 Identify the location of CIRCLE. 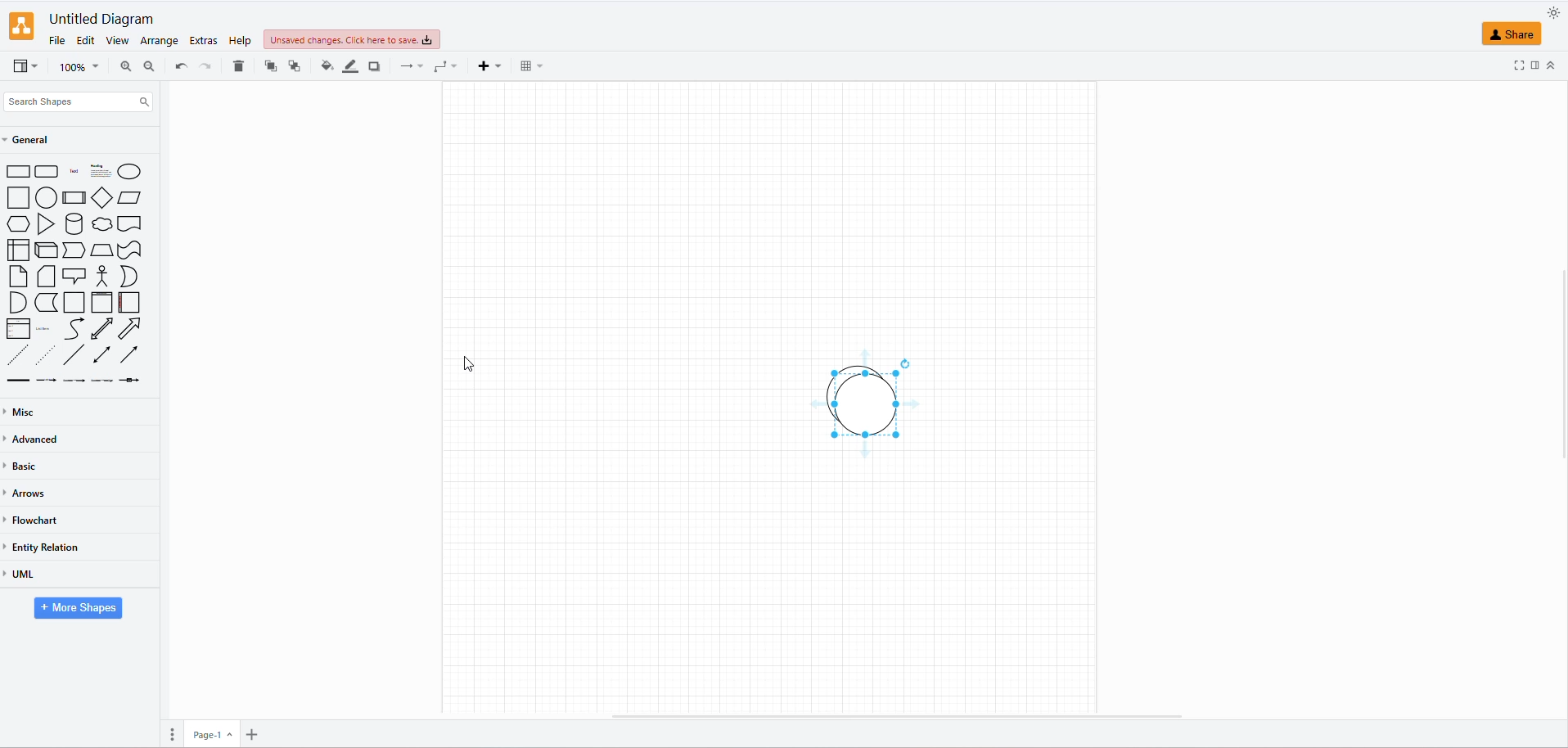
(131, 171).